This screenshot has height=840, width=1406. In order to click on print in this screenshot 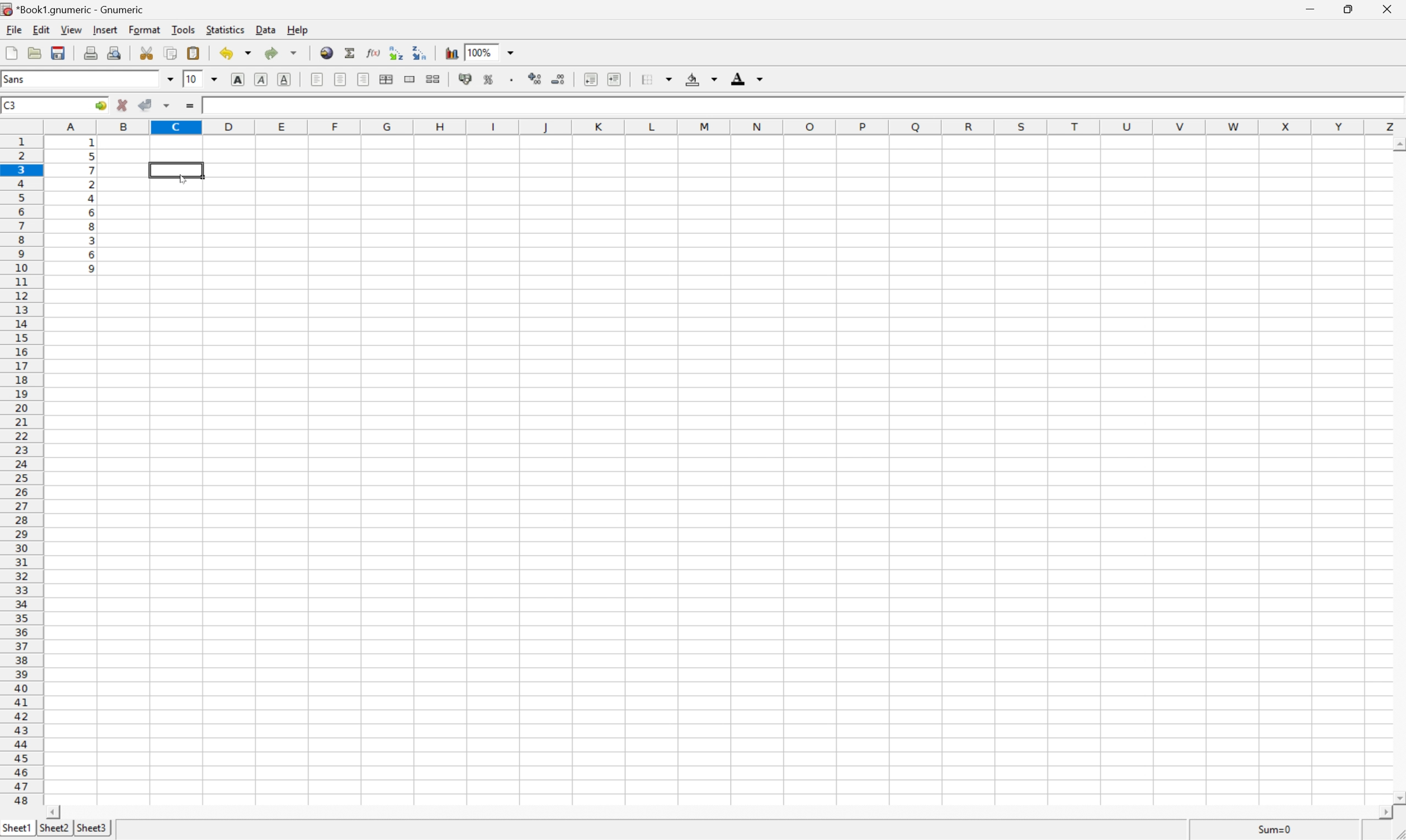, I will do `click(91, 53)`.